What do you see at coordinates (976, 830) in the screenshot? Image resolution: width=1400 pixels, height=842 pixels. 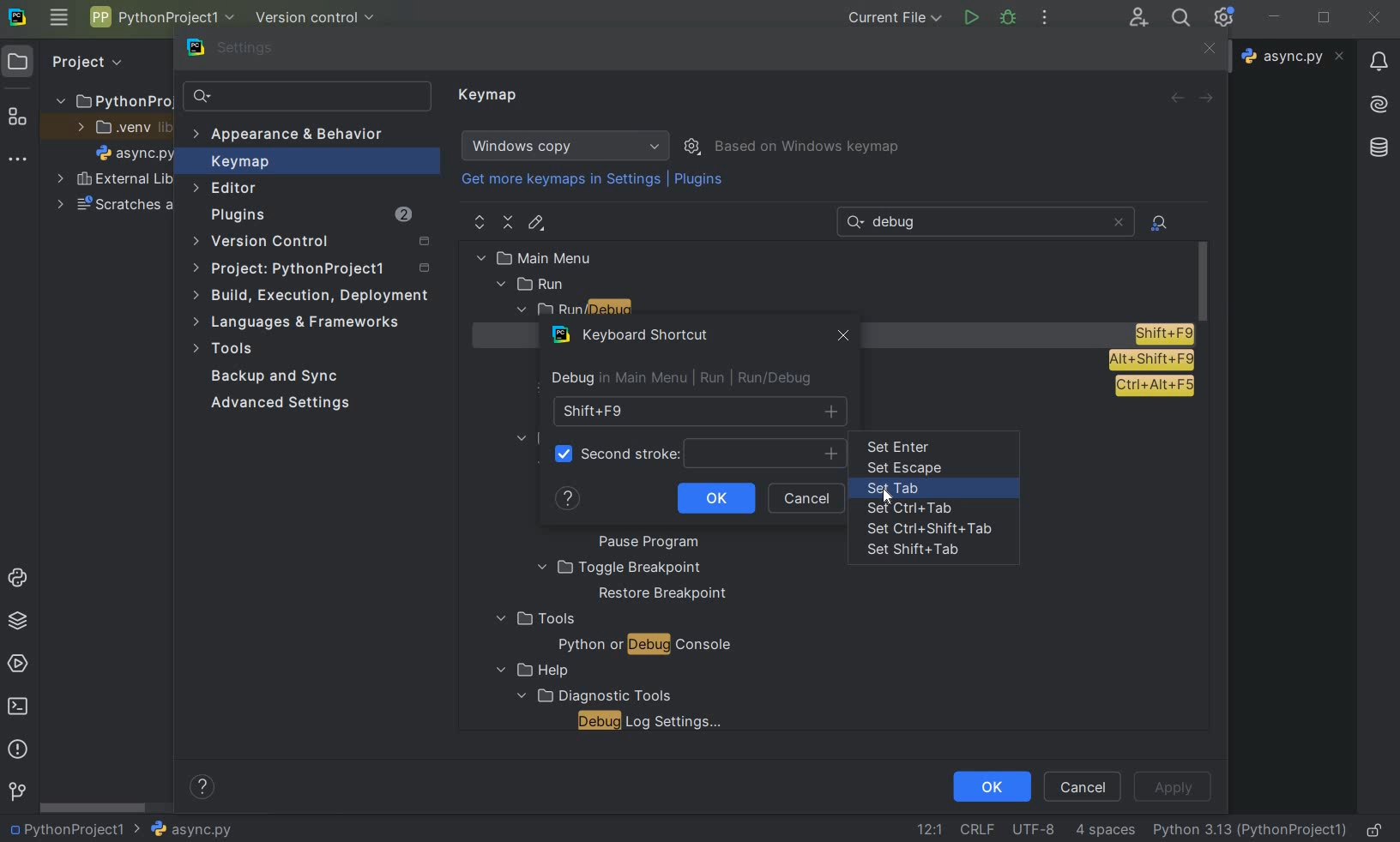 I see `line separator` at bounding box center [976, 830].